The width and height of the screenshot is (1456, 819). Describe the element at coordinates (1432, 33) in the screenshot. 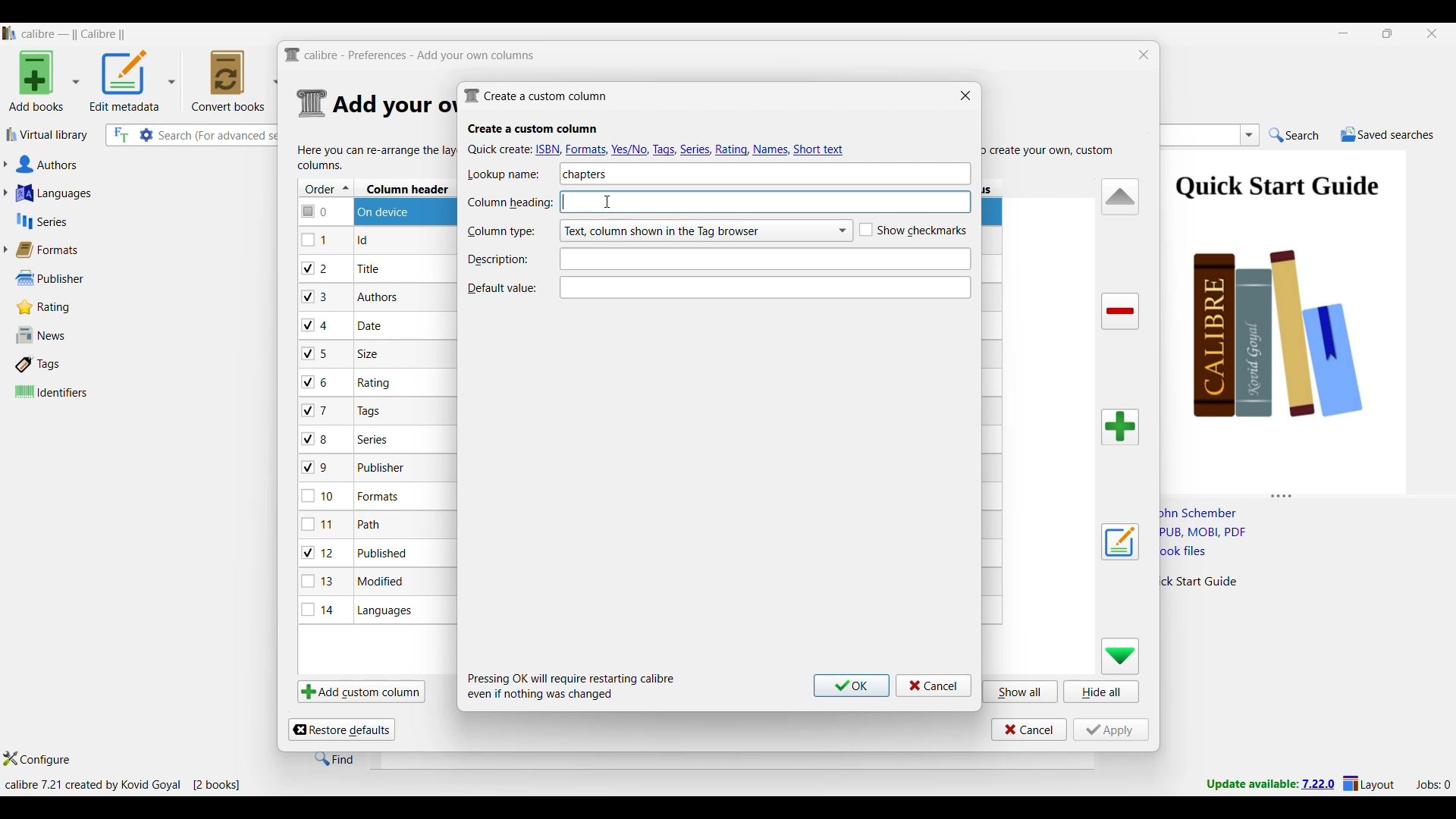

I see `Close interface` at that location.